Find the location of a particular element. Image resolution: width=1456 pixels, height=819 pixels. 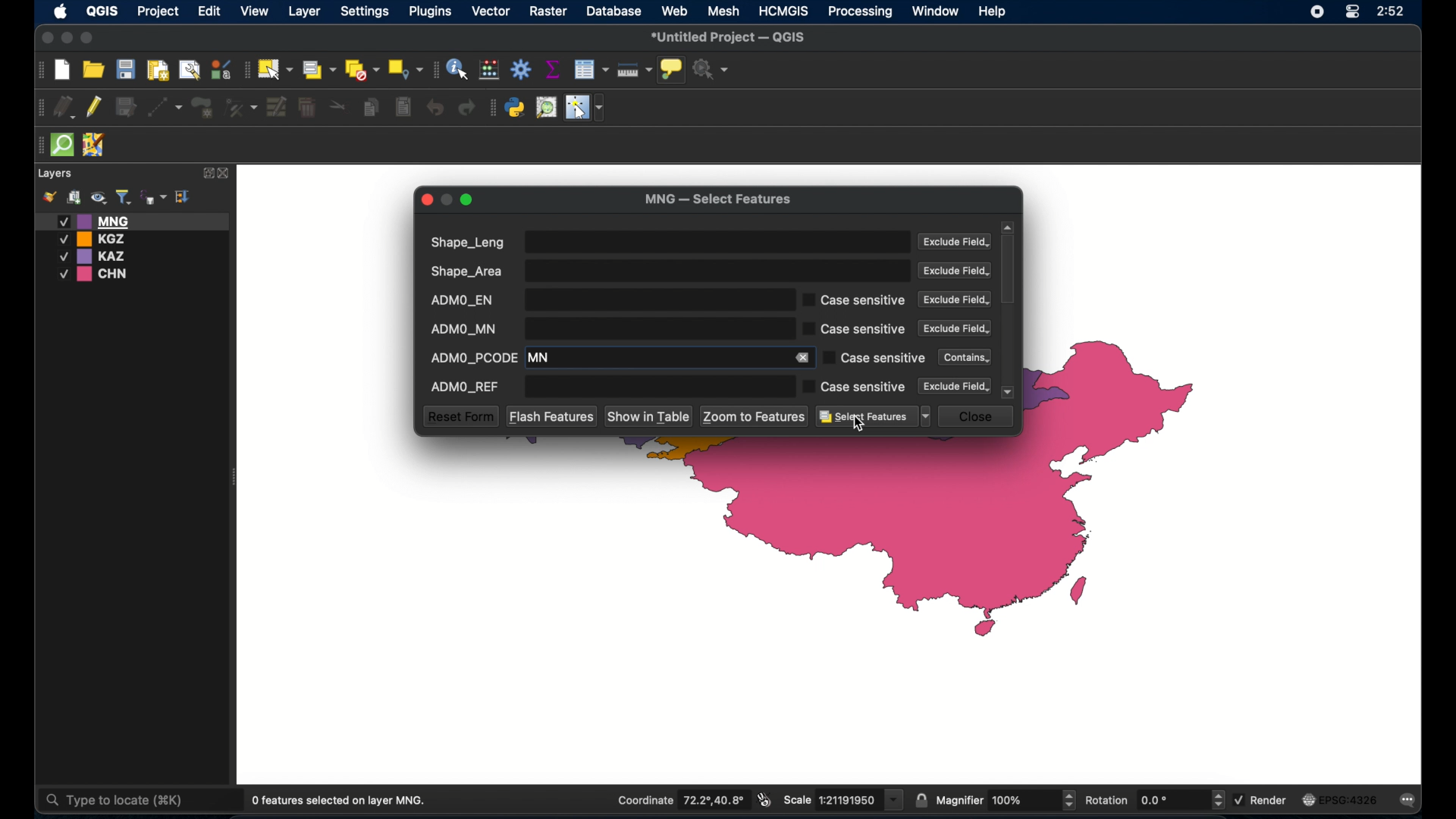

collapse all is located at coordinates (184, 196).